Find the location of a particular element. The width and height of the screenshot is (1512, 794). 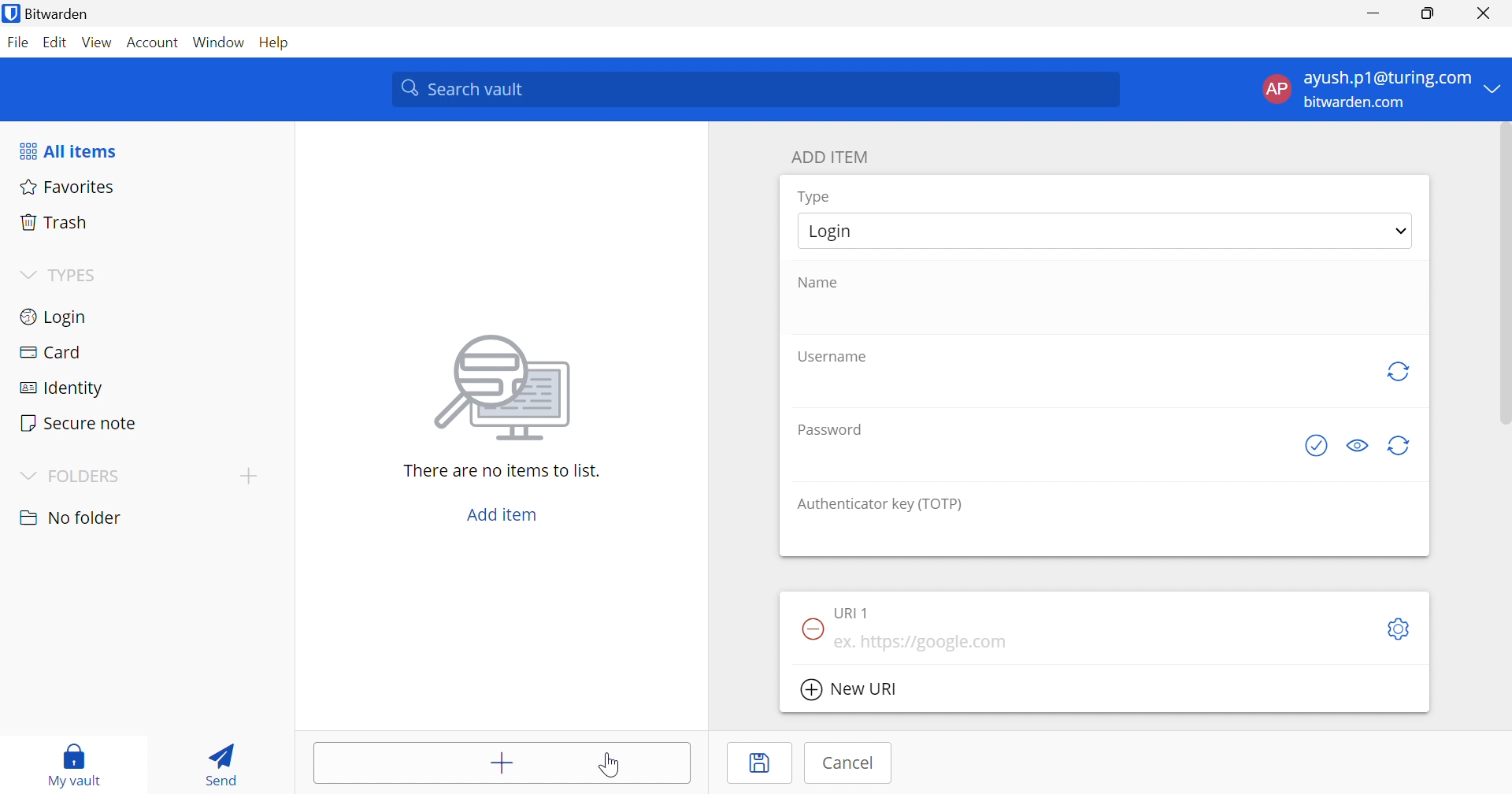

Add item is located at coordinates (498, 514).